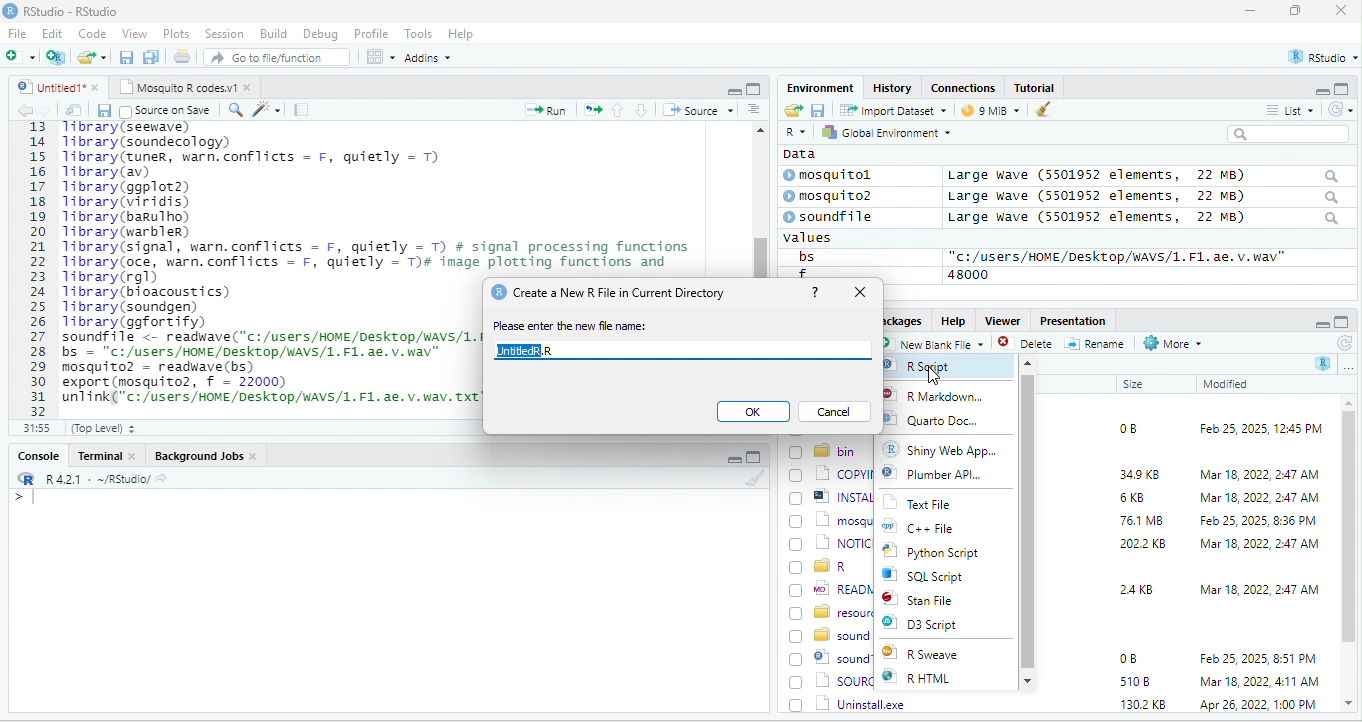 The image size is (1362, 722). I want to click on 48000, so click(969, 274).